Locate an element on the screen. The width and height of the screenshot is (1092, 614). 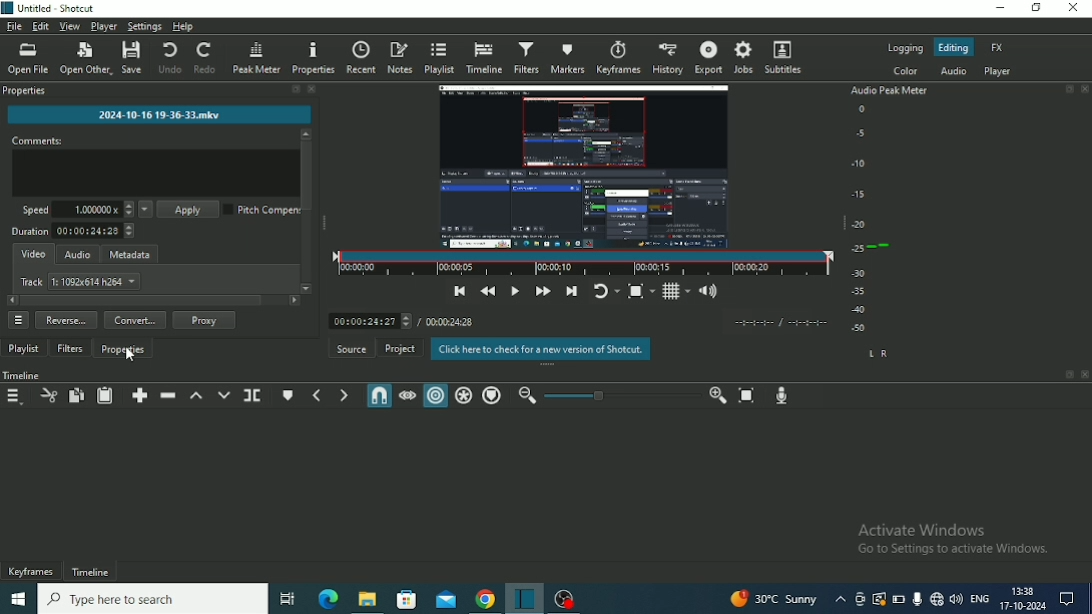
Convert is located at coordinates (134, 320).